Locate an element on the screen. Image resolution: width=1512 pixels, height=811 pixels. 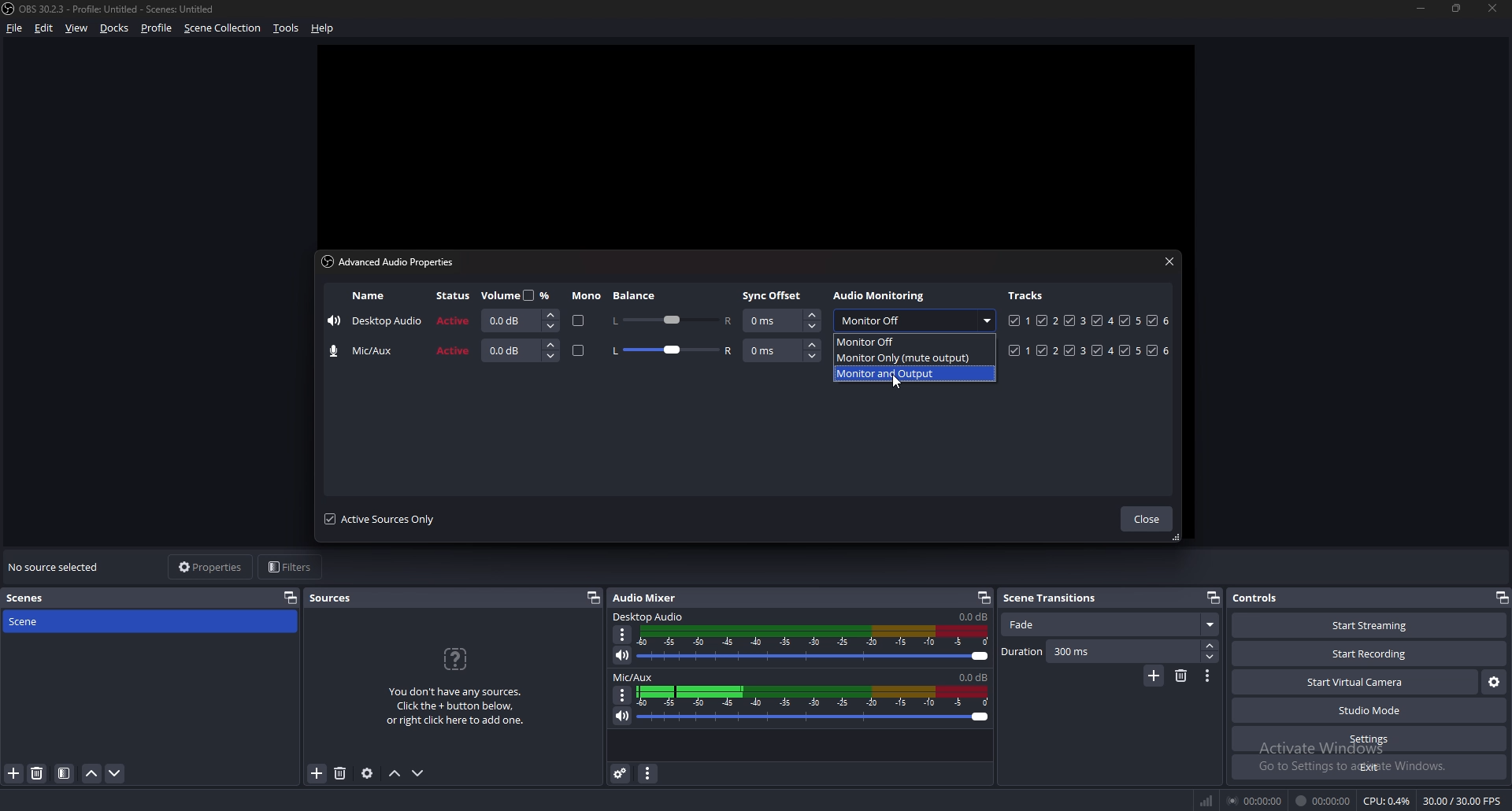
profile is located at coordinates (157, 28).